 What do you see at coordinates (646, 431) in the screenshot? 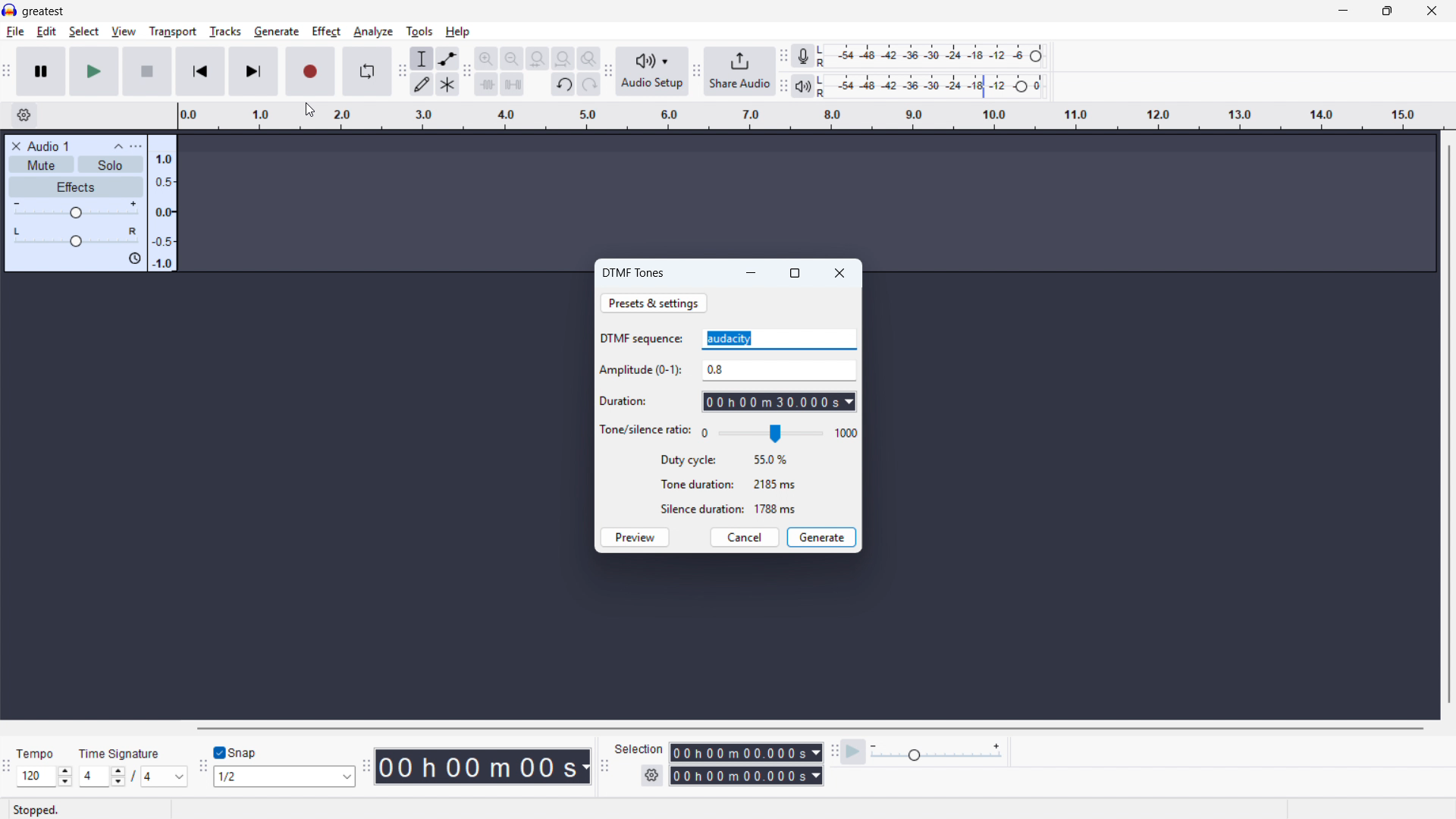
I see `tone/silence ratio` at bounding box center [646, 431].